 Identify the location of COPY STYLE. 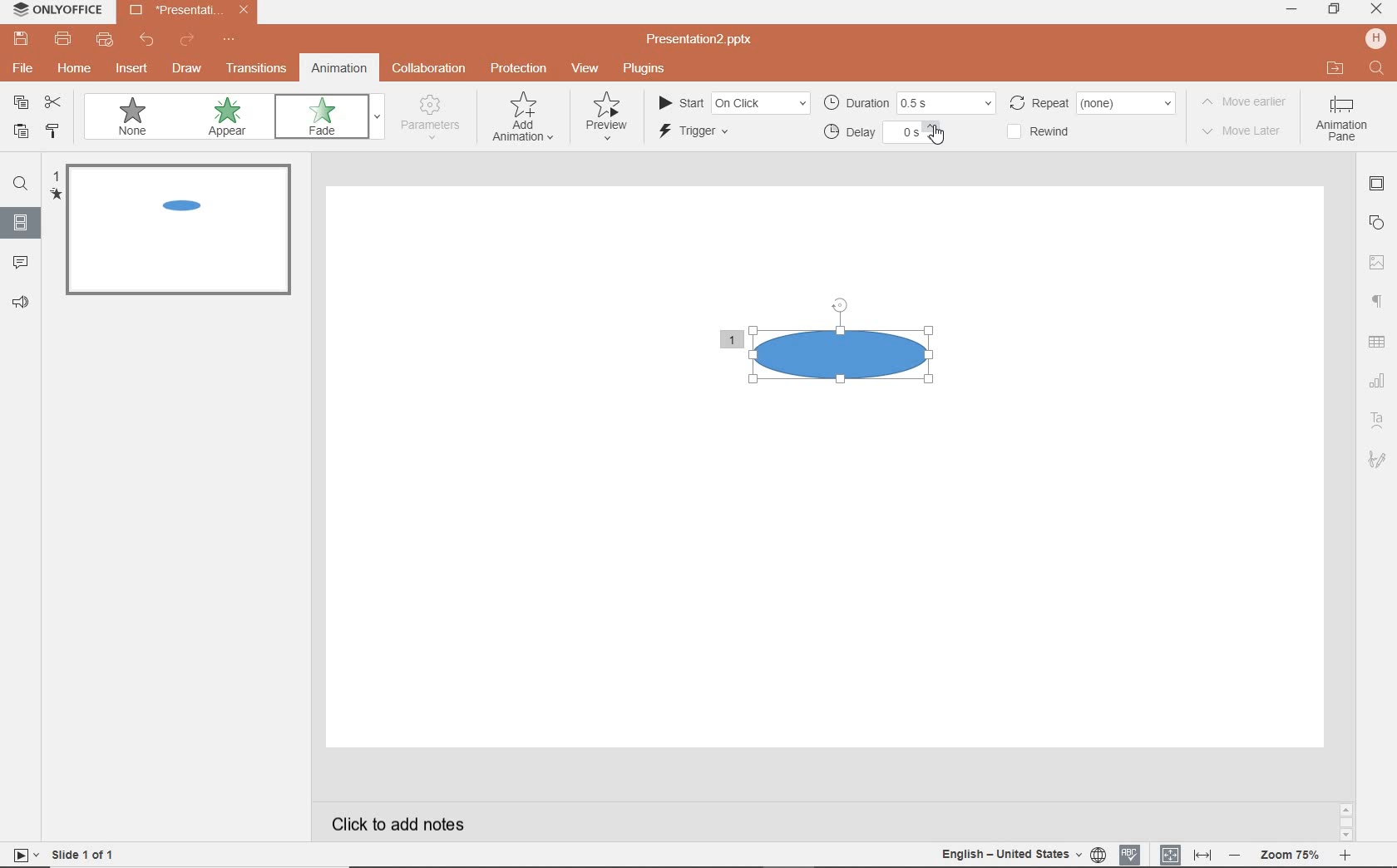
(50, 131).